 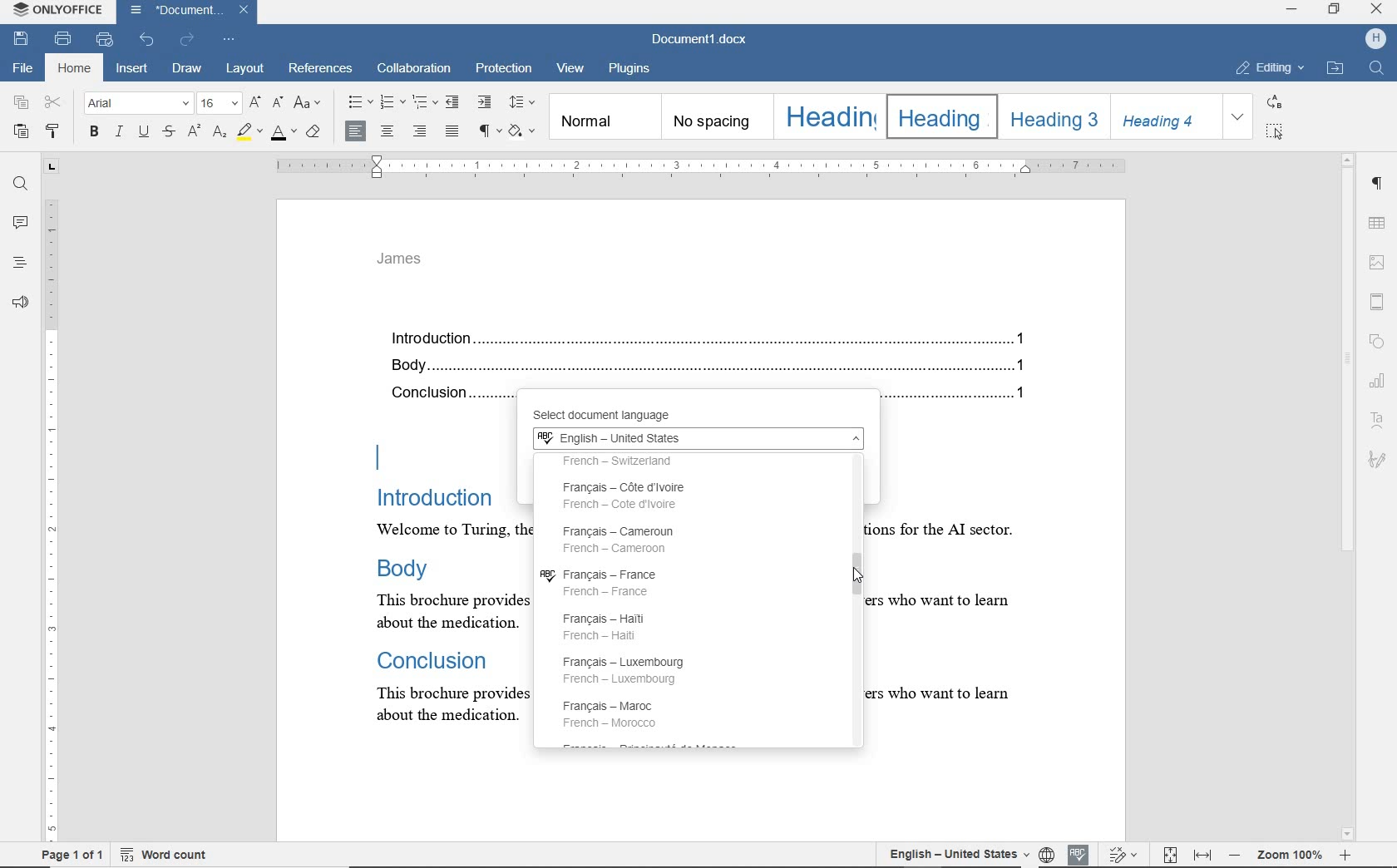 I want to click on REPLACE, so click(x=1275, y=101).